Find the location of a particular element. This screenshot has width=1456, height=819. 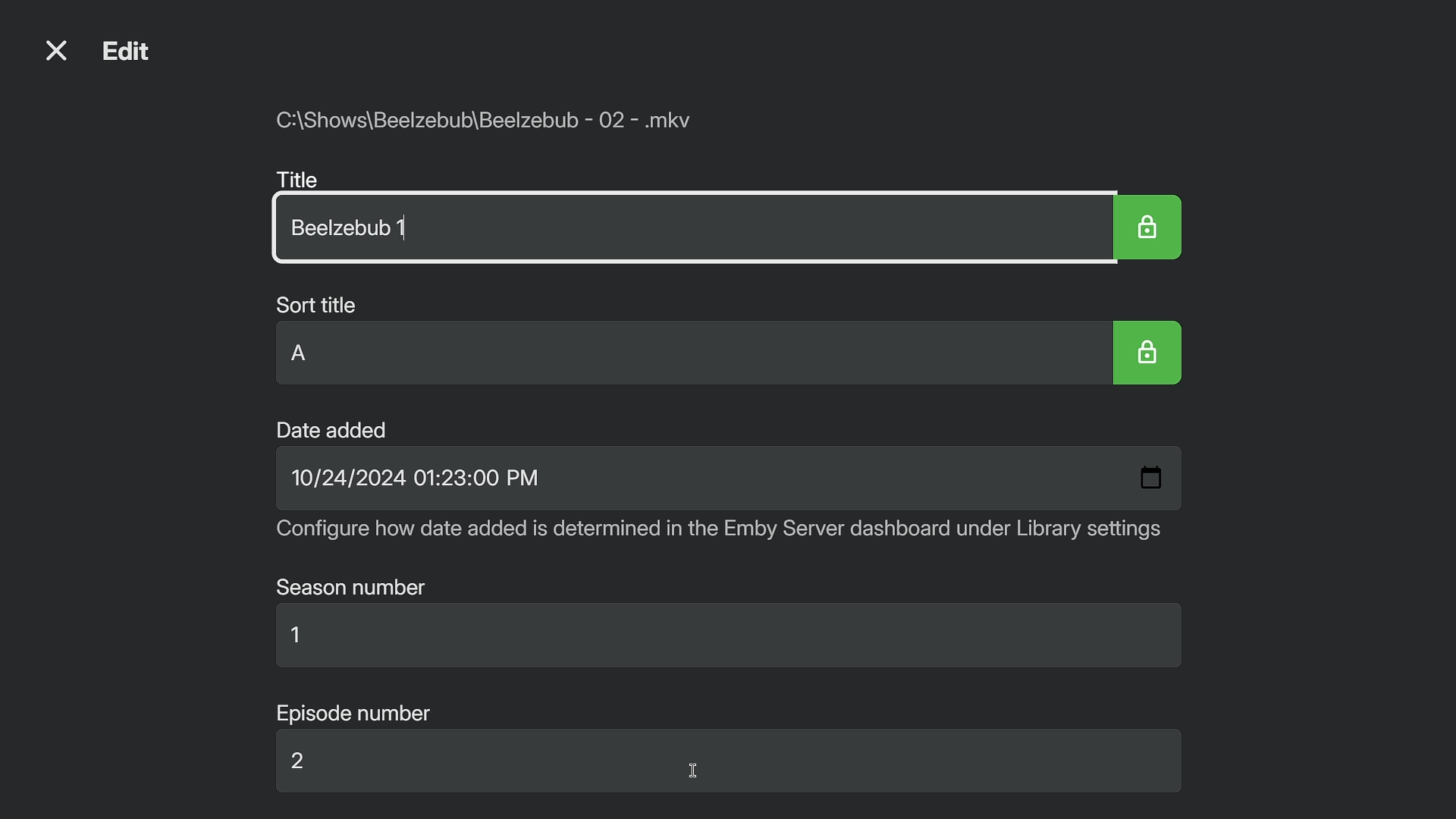

Edit is located at coordinates (133, 54).